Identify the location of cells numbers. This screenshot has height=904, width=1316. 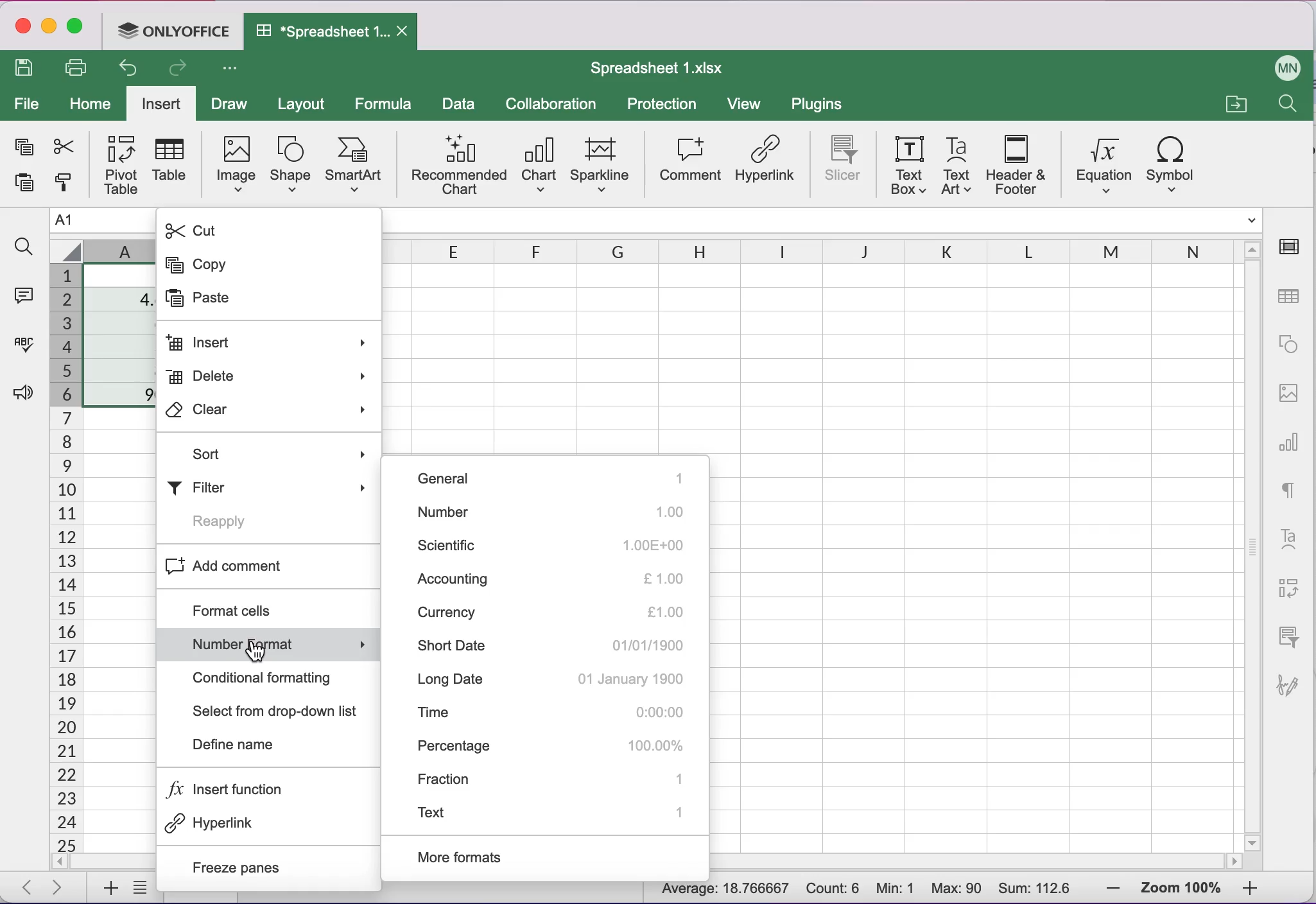
(62, 558).